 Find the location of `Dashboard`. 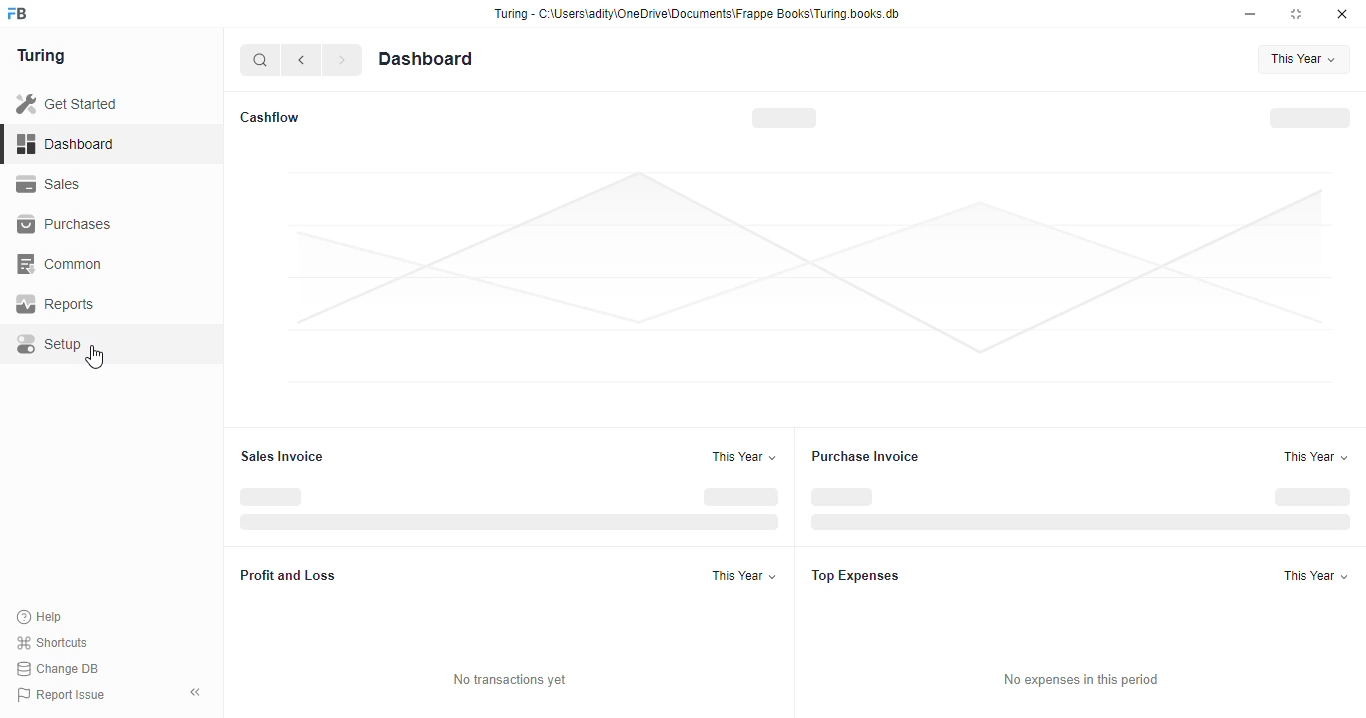

Dashboard is located at coordinates (429, 58).